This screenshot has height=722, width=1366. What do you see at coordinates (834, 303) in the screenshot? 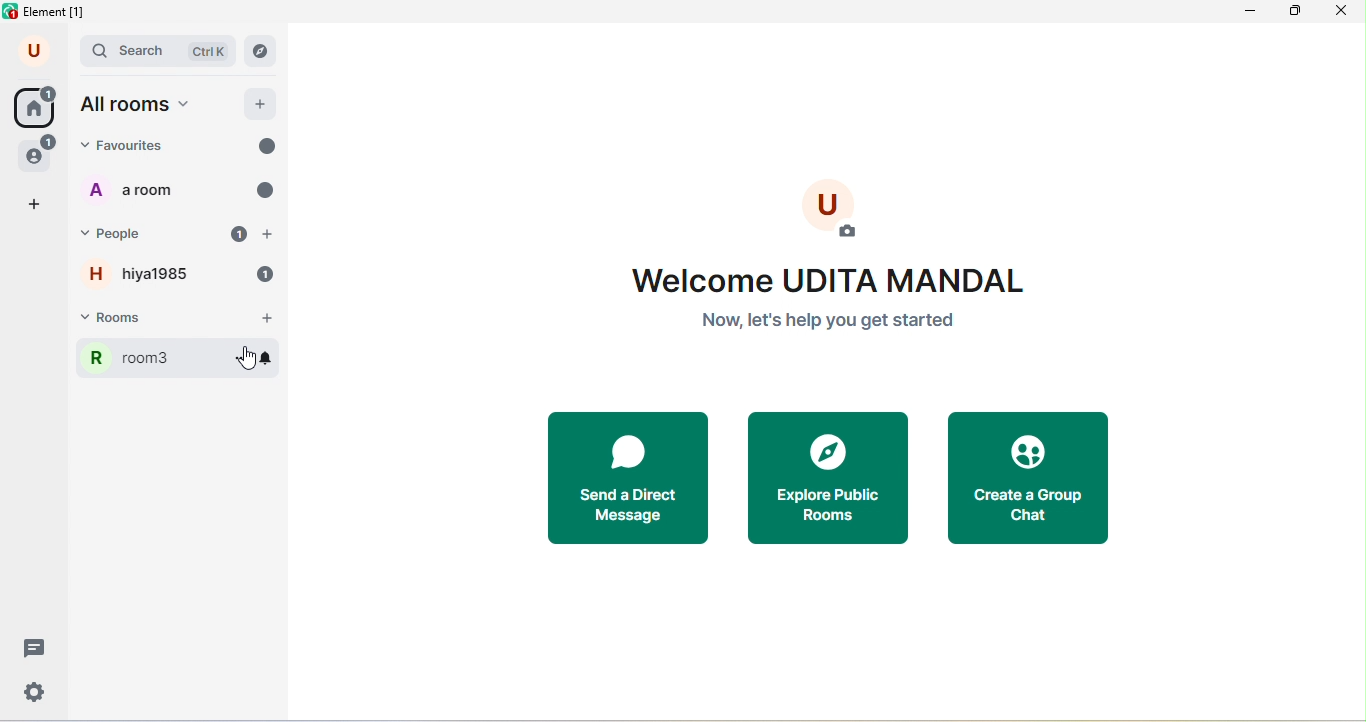
I see `welcome text` at bounding box center [834, 303].